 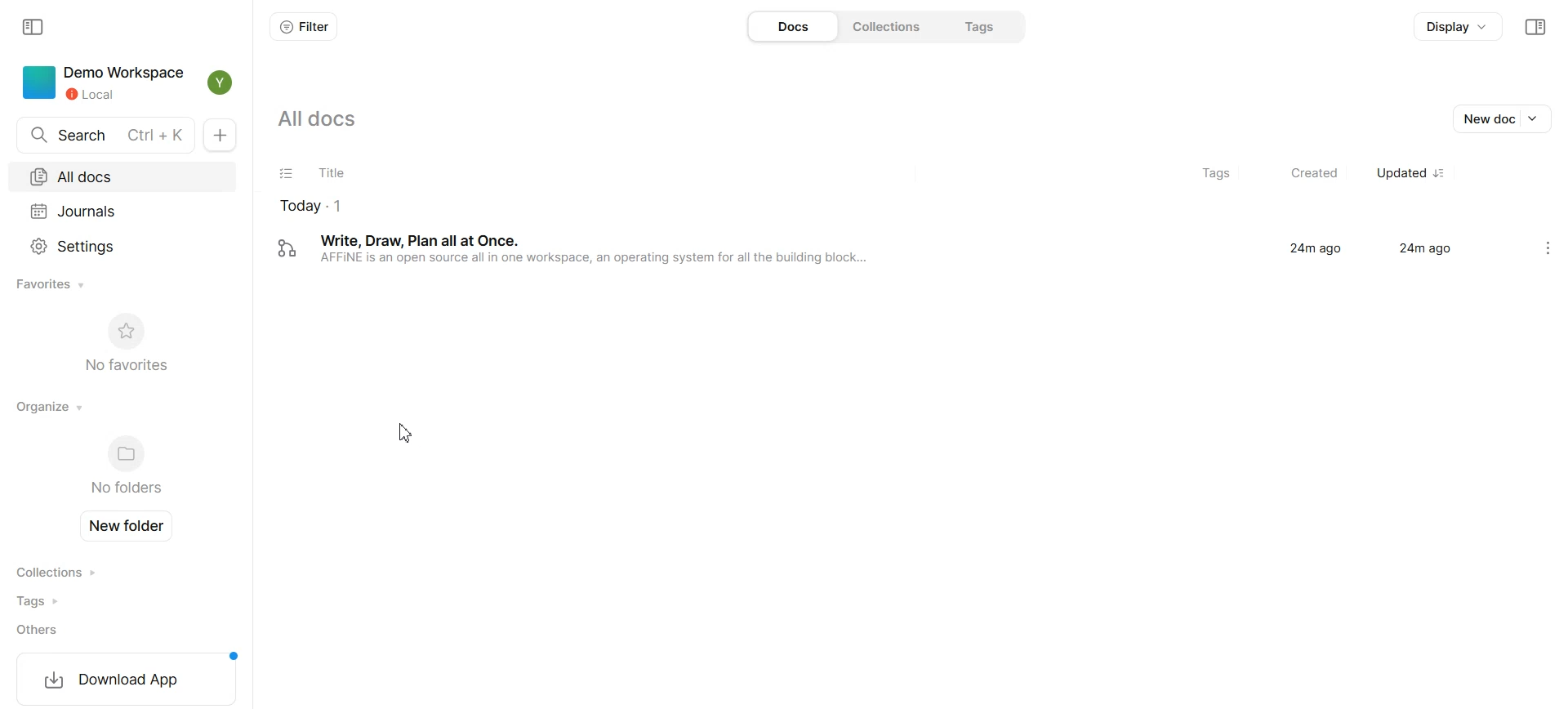 I want to click on Docs, so click(x=791, y=26).